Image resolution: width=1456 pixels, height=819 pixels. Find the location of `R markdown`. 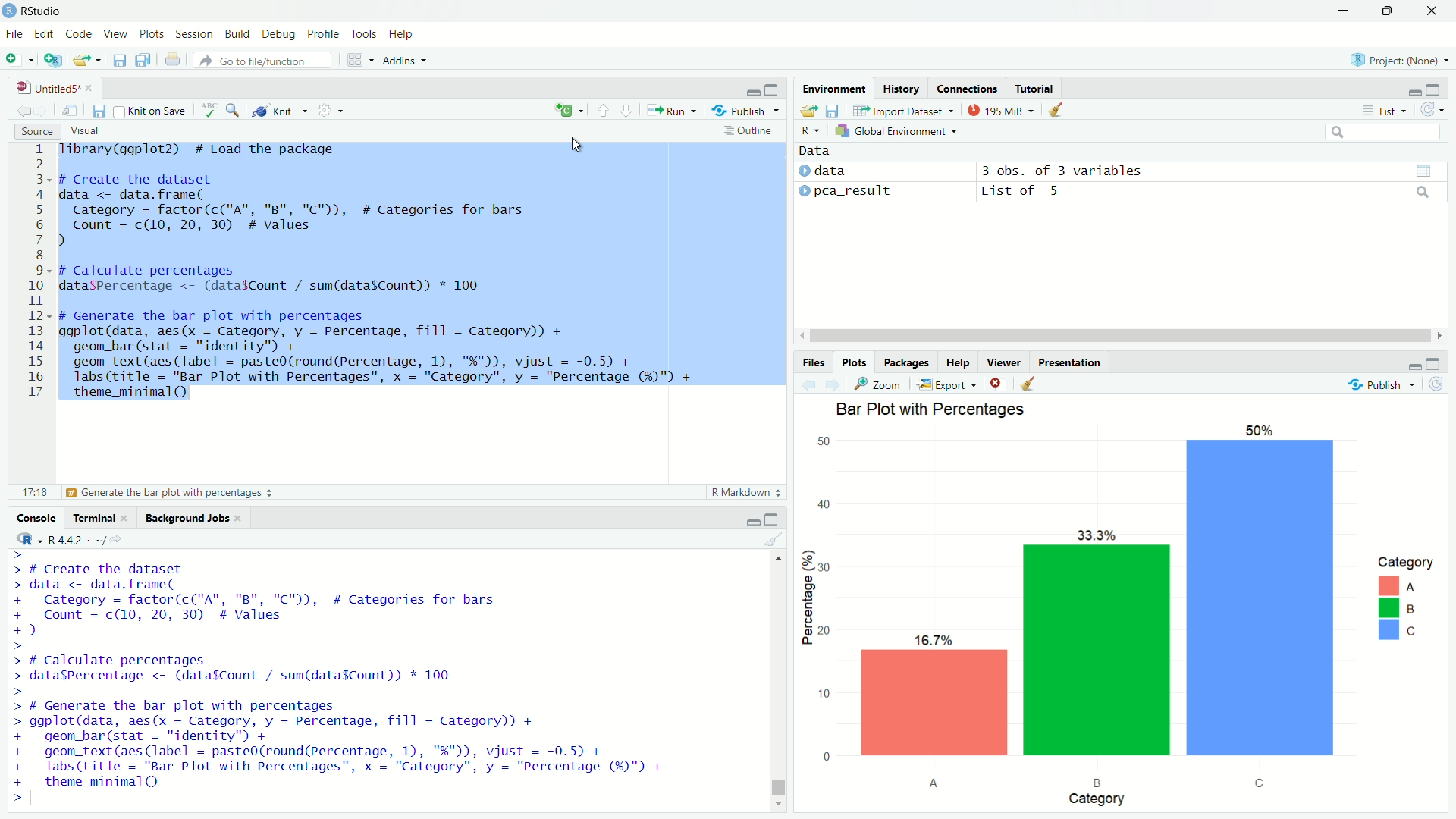

R markdown is located at coordinates (742, 493).